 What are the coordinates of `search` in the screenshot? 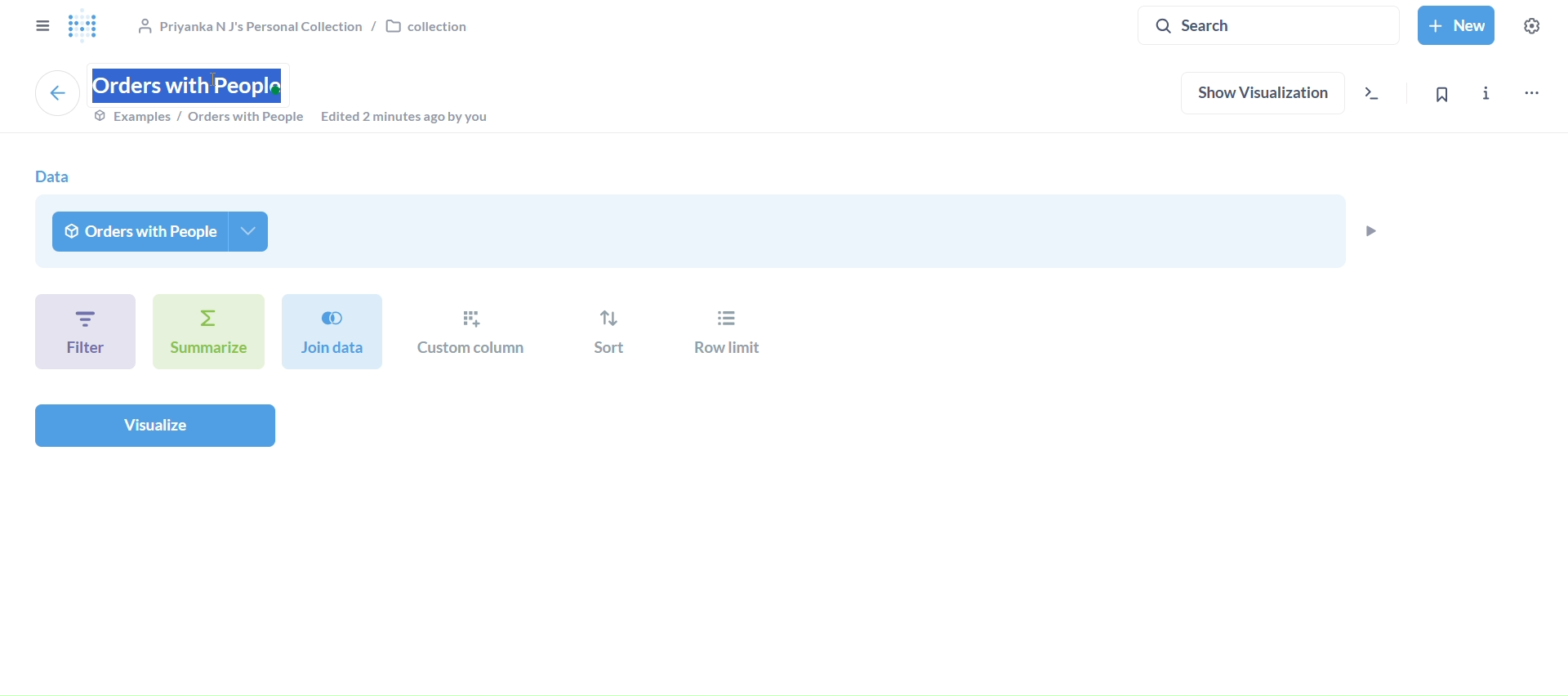 It's located at (1269, 24).